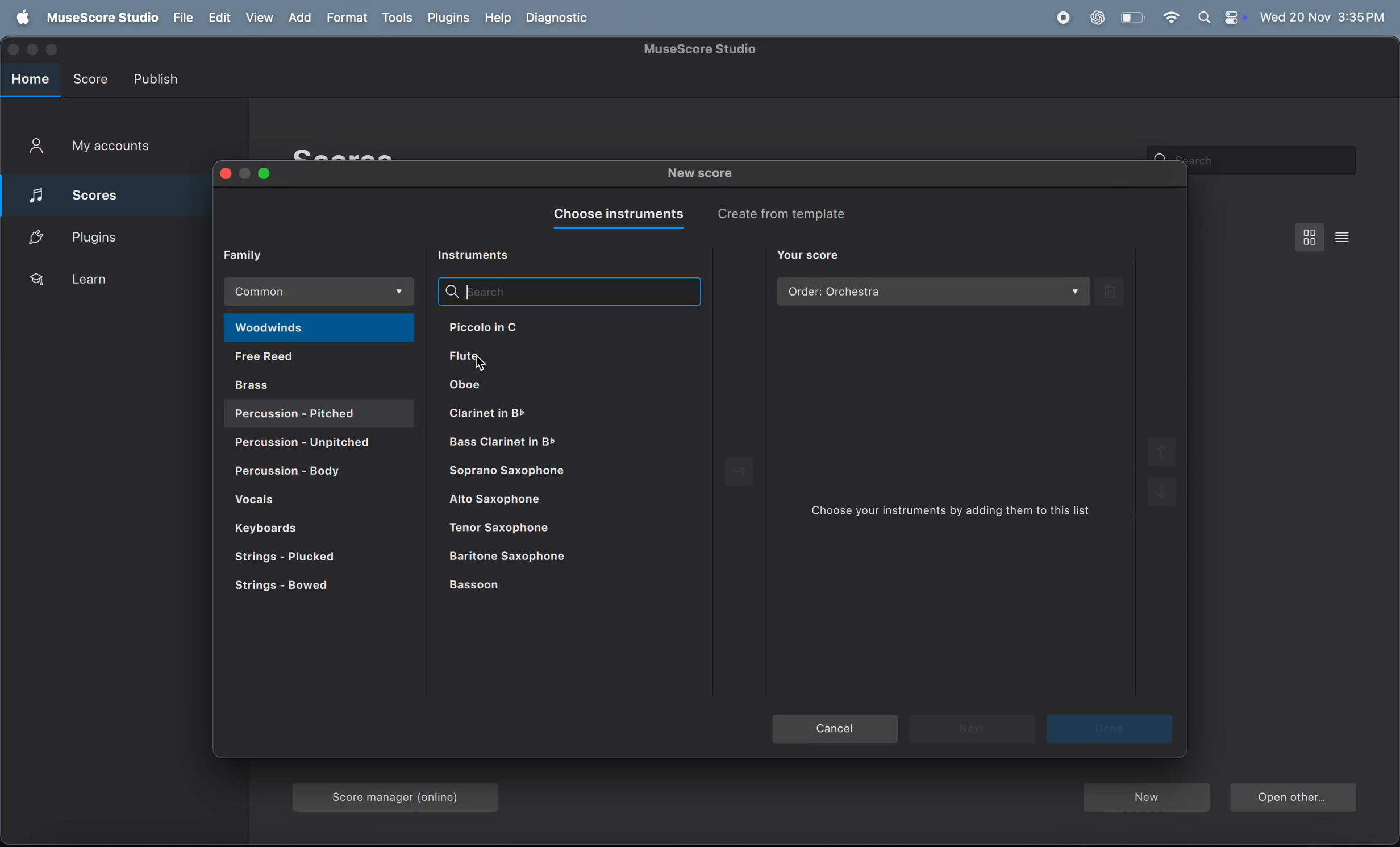 This screenshot has height=847, width=1400. What do you see at coordinates (809, 256) in the screenshot?
I see `your score` at bounding box center [809, 256].